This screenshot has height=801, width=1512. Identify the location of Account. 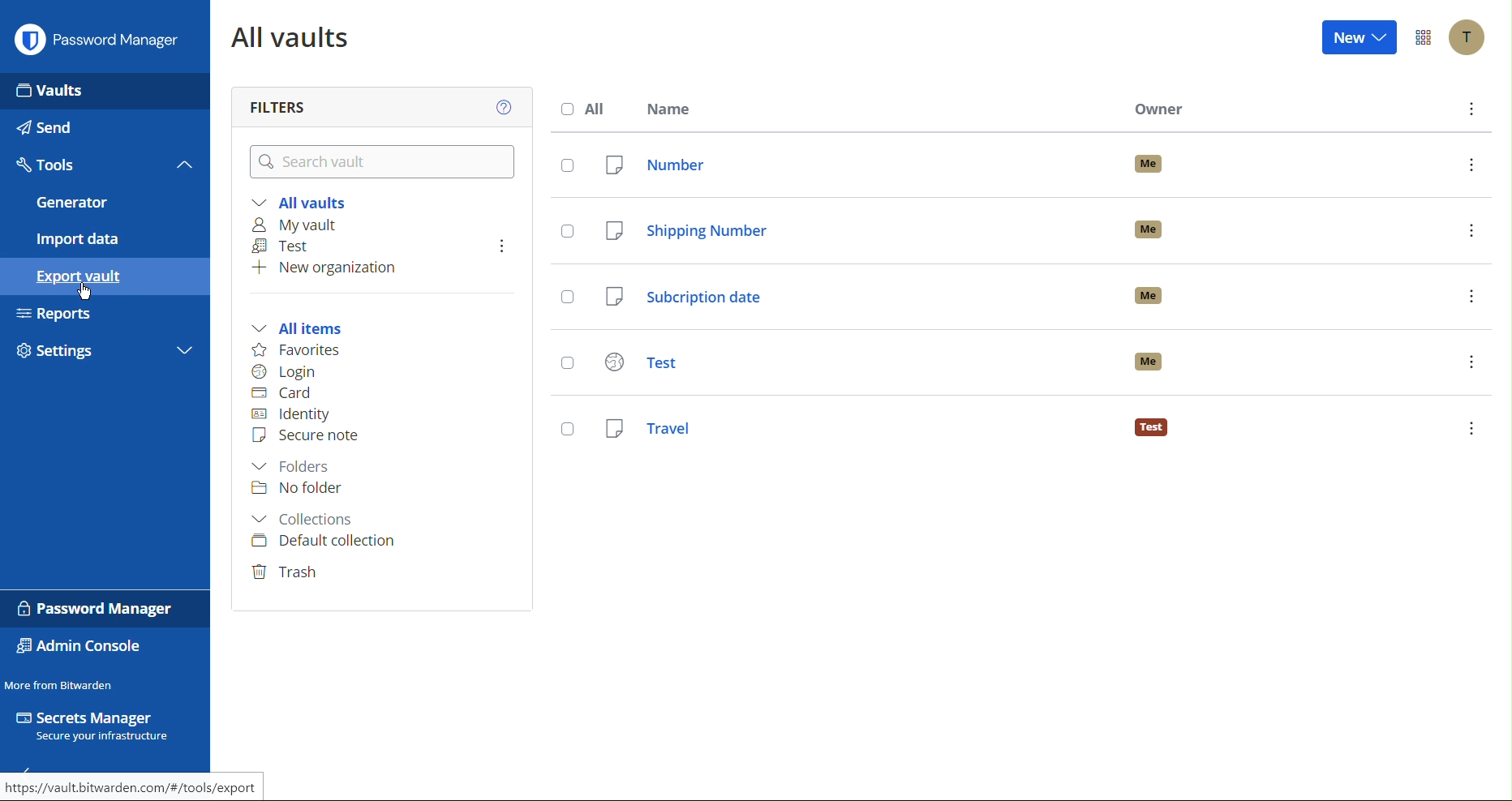
(1465, 38).